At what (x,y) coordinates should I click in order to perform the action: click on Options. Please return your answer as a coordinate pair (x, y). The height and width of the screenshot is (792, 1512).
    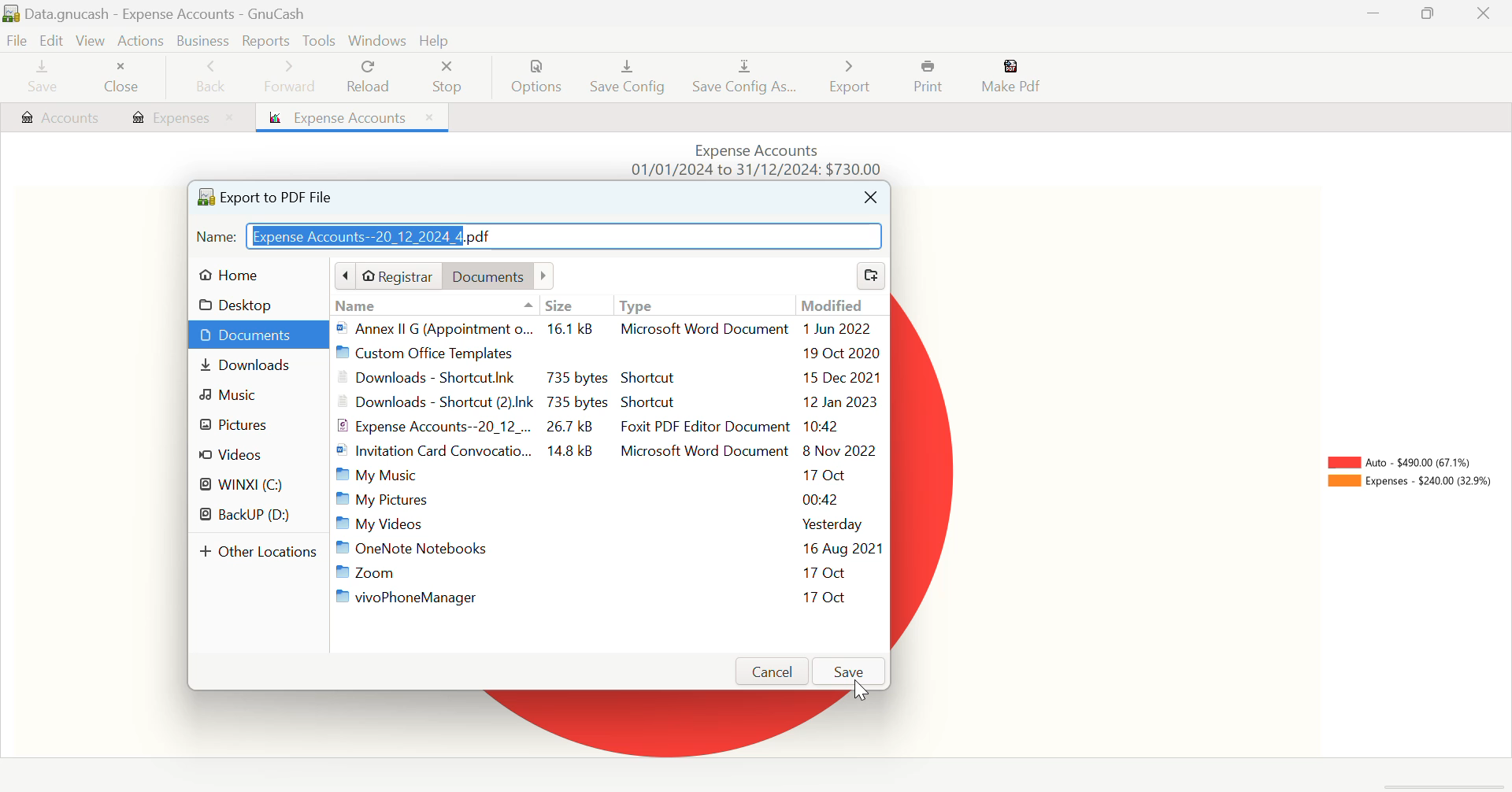
    Looking at the image, I should click on (539, 77).